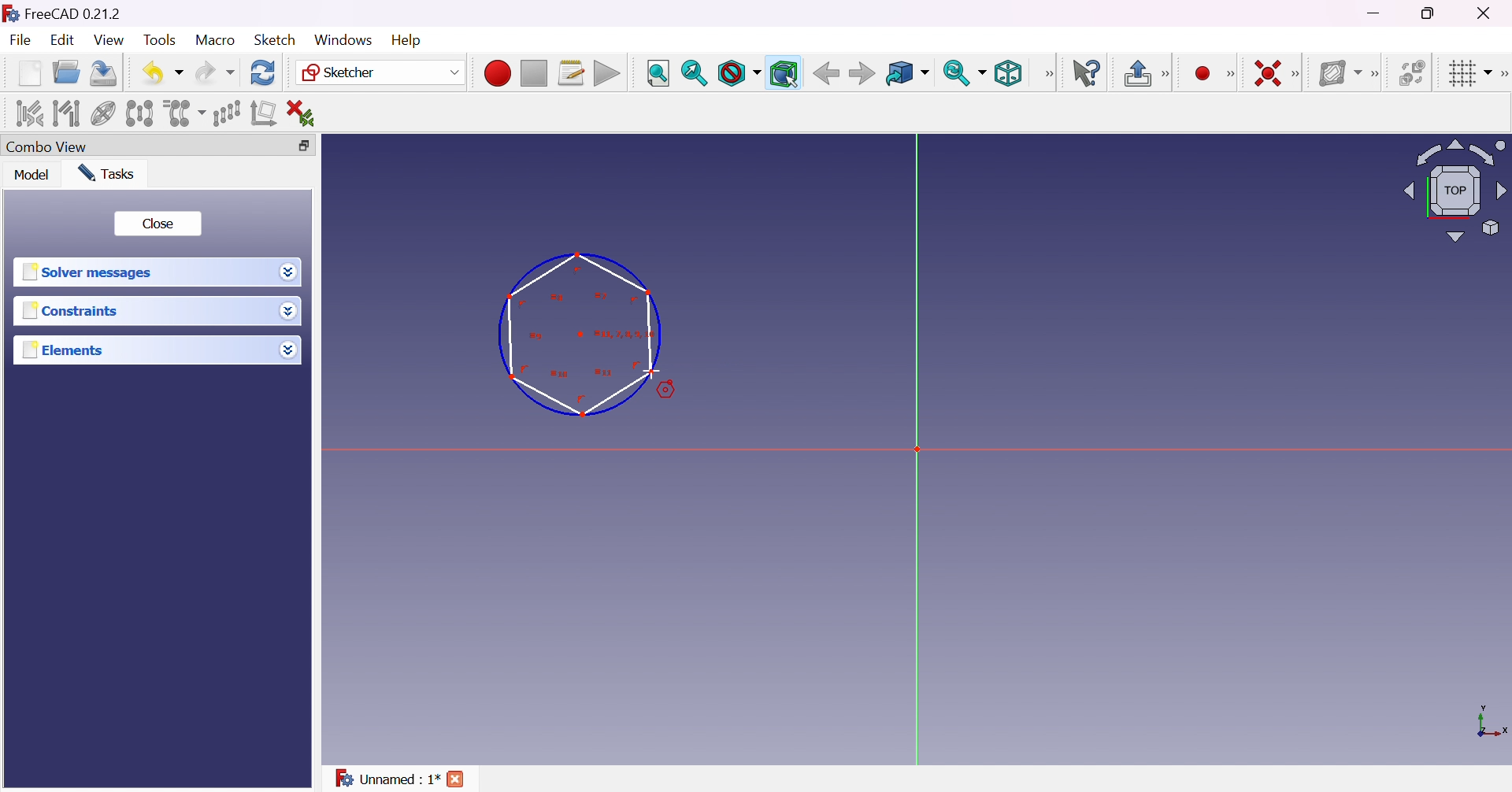 Image resolution: width=1512 pixels, height=792 pixels. Describe the element at coordinates (863, 72) in the screenshot. I see `Forward` at that location.